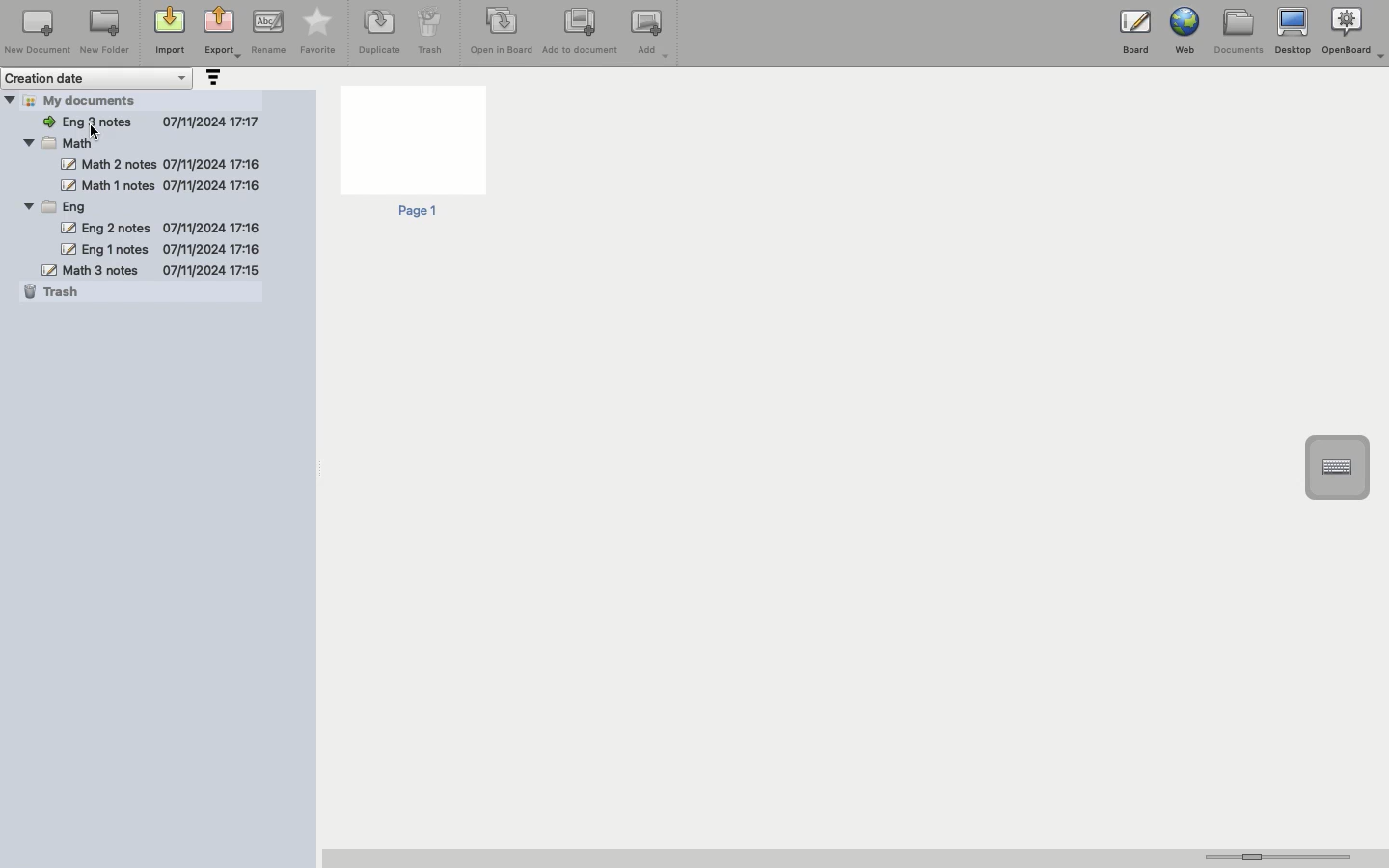 This screenshot has width=1389, height=868. What do you see at coordinates (27, 205) in the screenshot?
I see `Hide` at bounding box center [27, 205].